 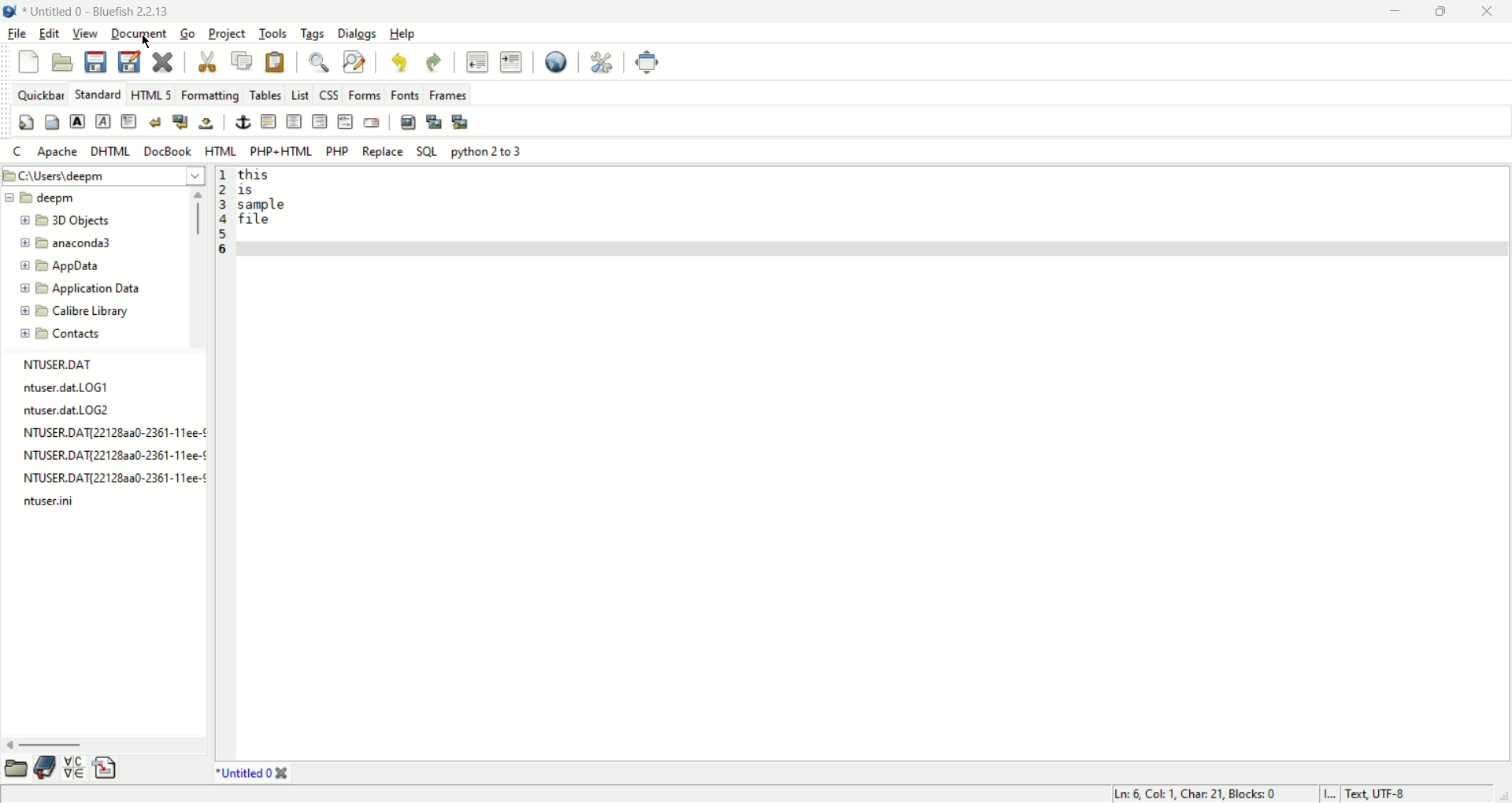 I want to click on CSS, so click(x=331, y=94).